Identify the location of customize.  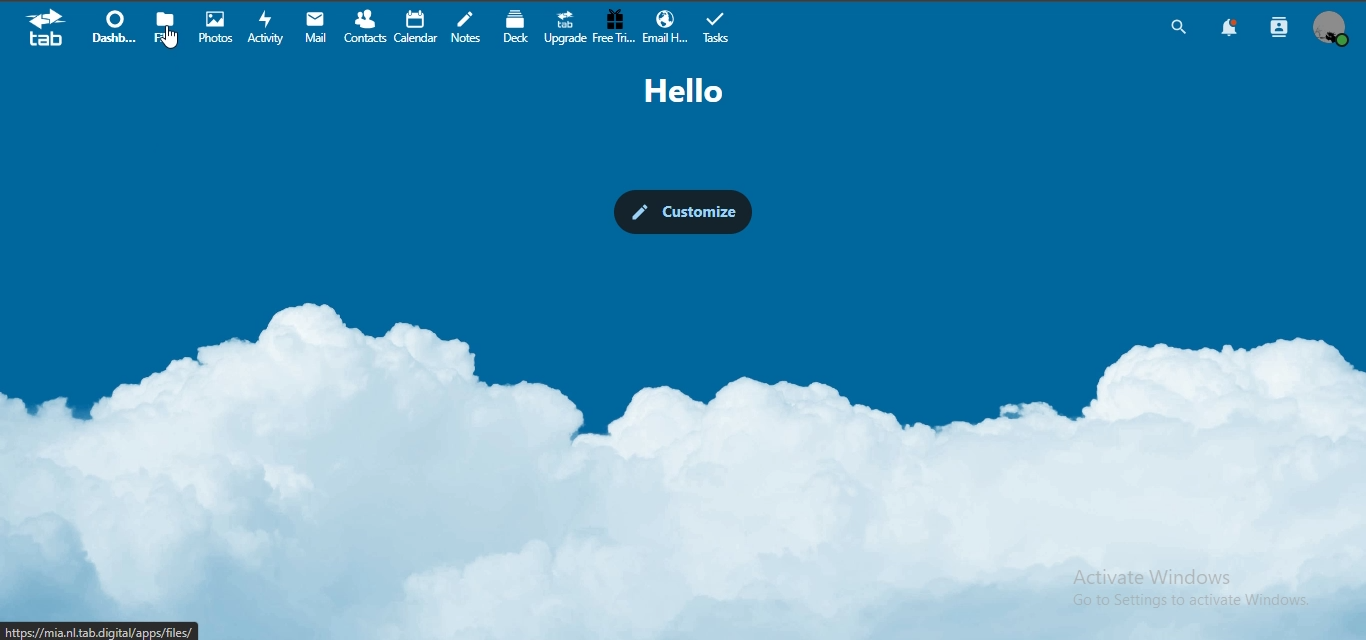
(681, 210).